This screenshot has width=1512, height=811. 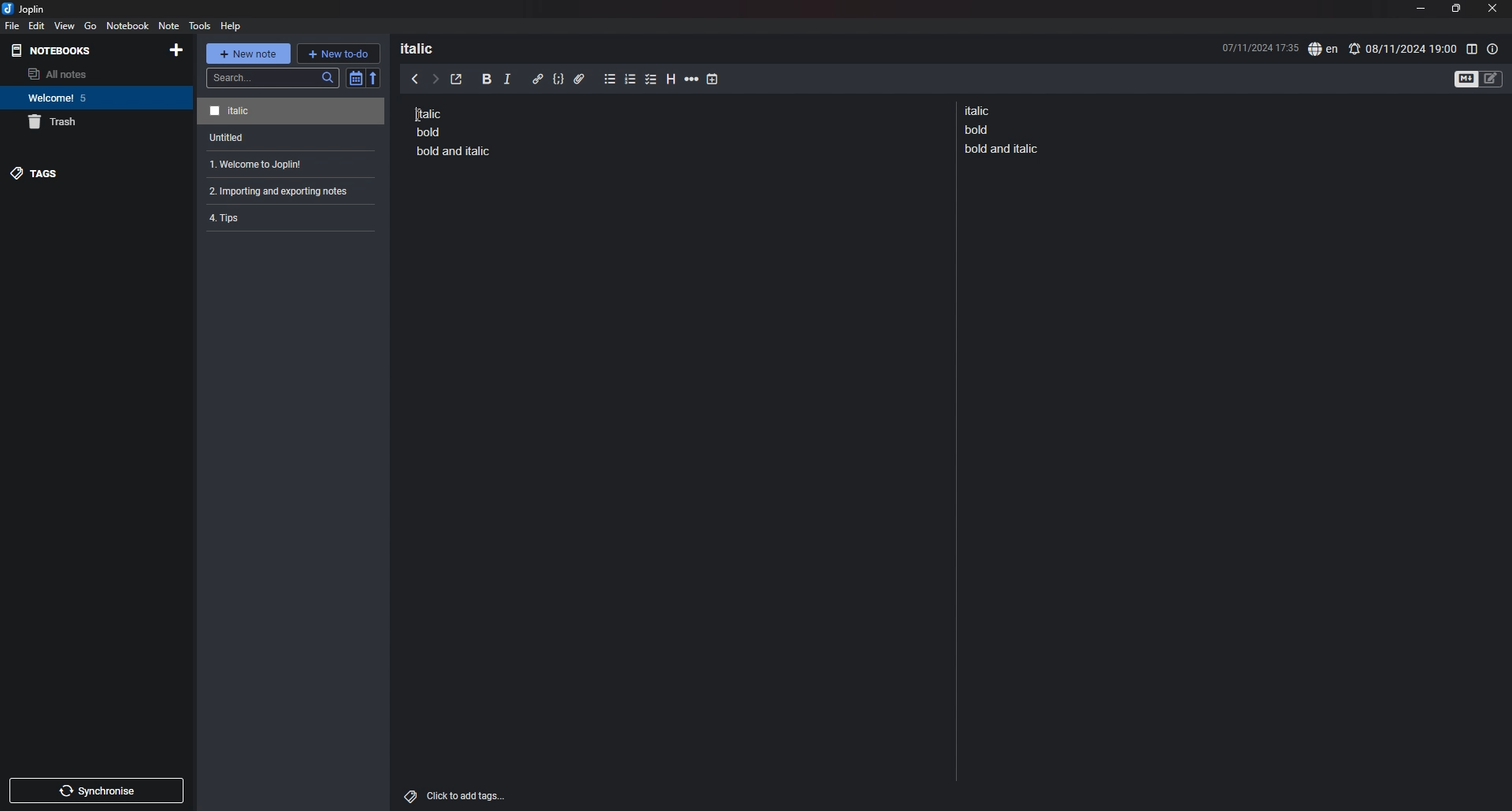 I want to click on trash, so click(x=97, y=122).